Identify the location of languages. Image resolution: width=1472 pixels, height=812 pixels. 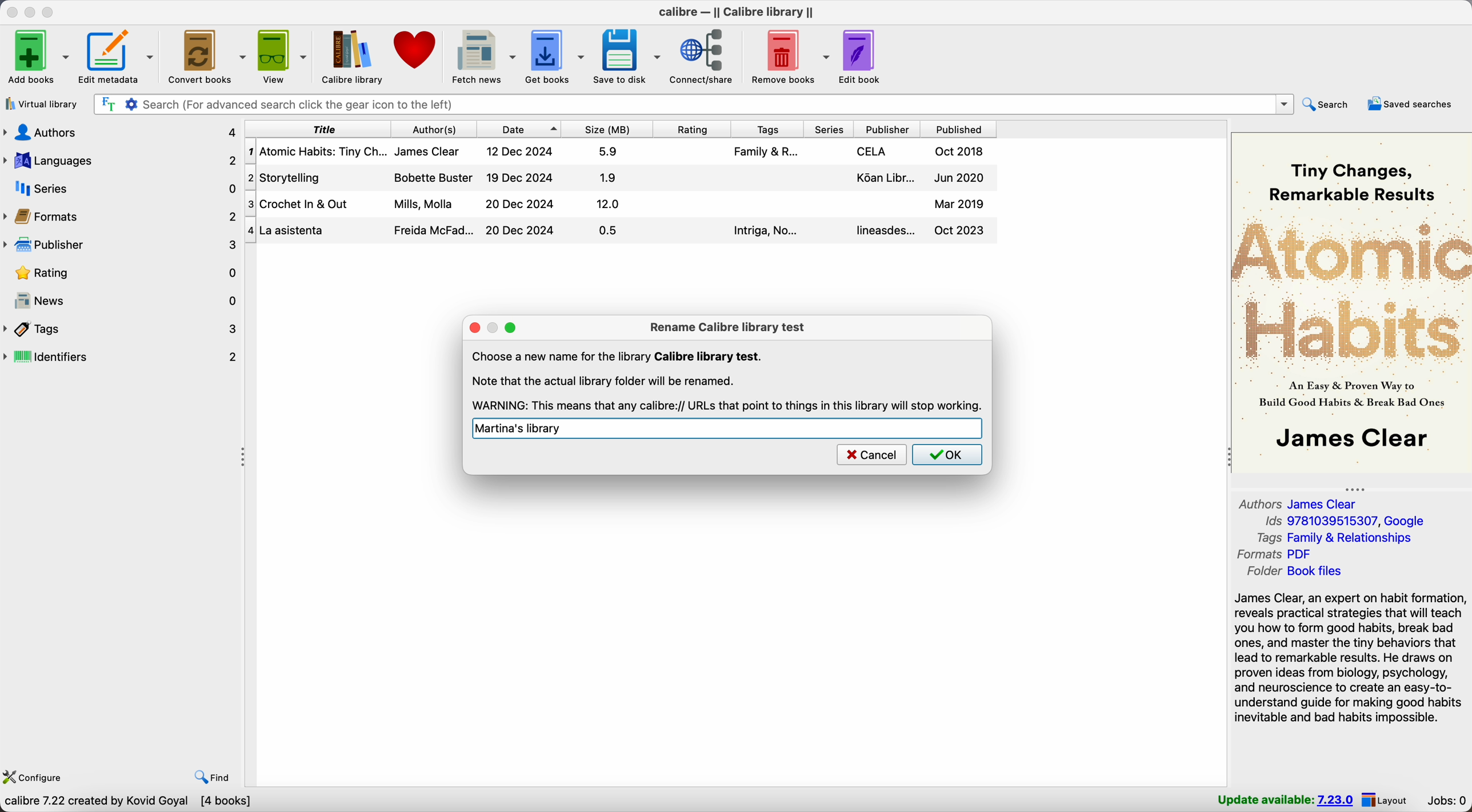
(122, 161).